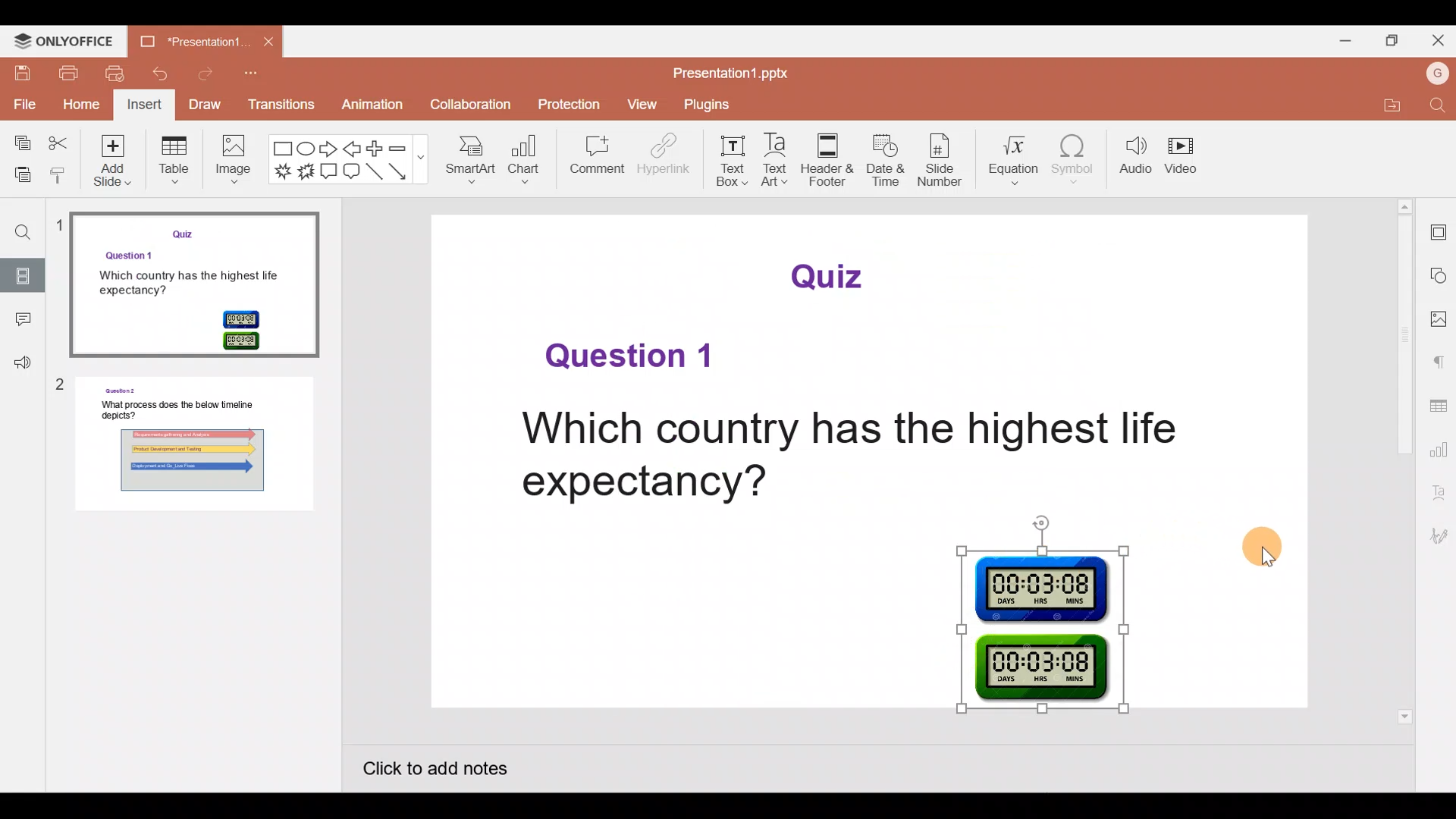 The image size is (1456, 819). Describe the element at coordinates (306, 148) in the screenshot. I see `Ellipse` at that location.